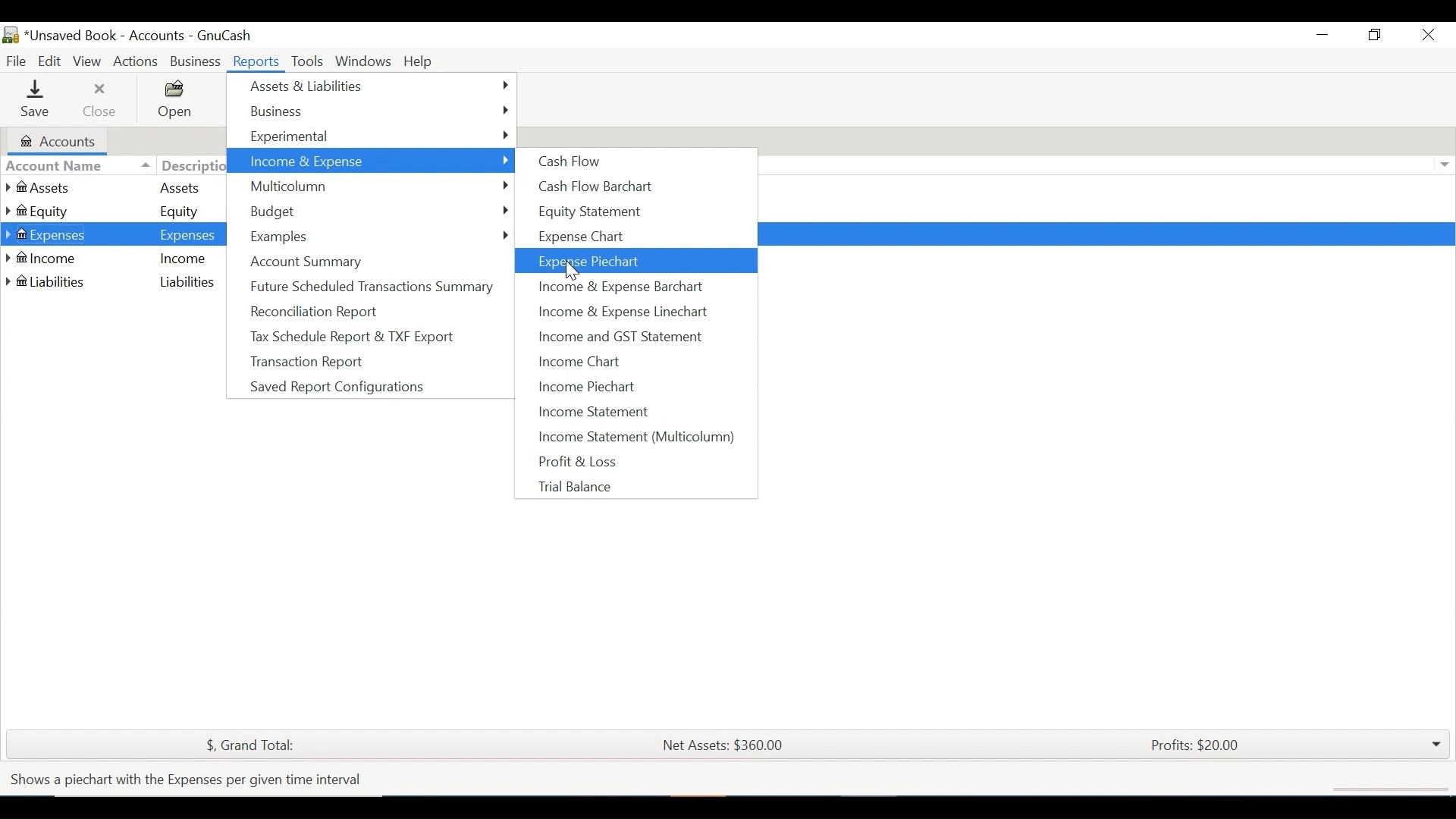 The image size is (1456, 819). I want to click on Export Piechart, so click(633, 260).